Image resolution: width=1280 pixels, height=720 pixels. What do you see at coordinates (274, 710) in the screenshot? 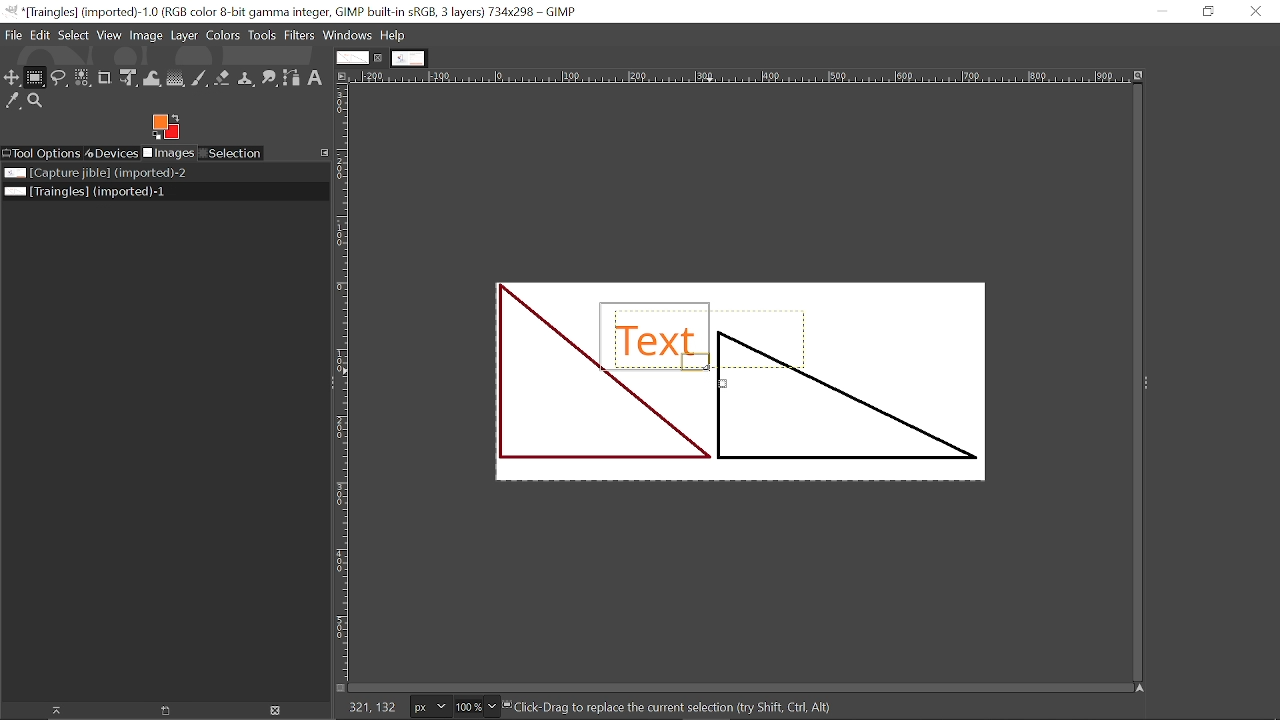
I see `Delete Image` at bounding box center [274, 710].